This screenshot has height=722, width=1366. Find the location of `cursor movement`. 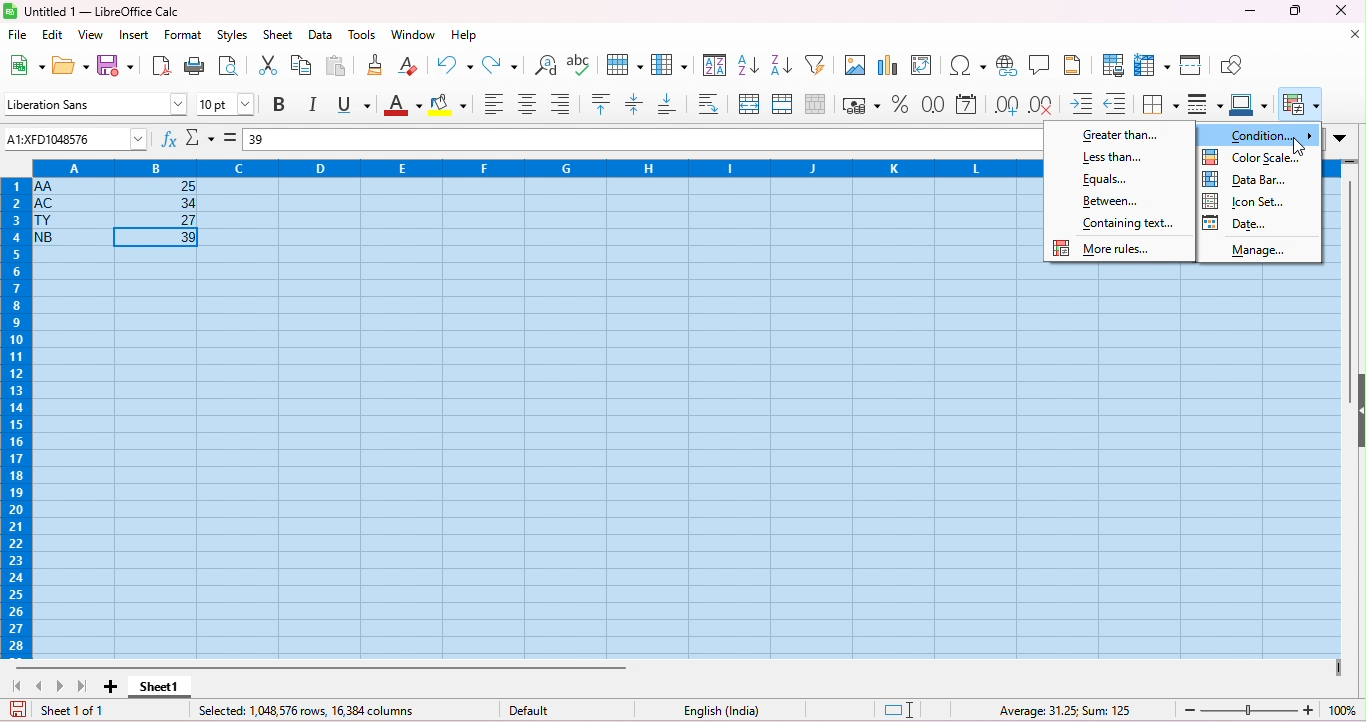

cursor movement is located at coordinates (1300, 148).